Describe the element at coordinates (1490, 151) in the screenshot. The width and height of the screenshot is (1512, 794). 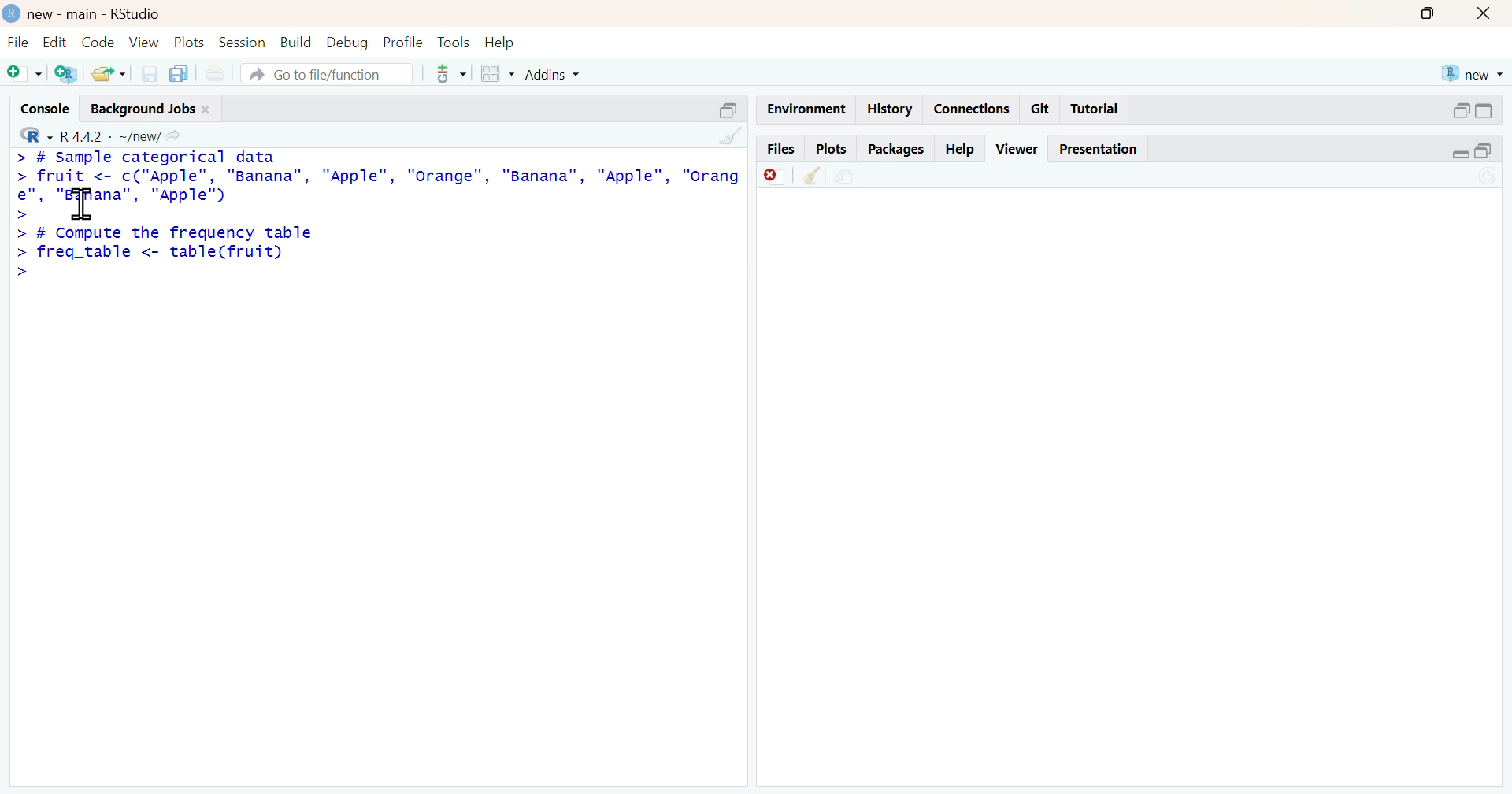
I see `collapse` at that location.